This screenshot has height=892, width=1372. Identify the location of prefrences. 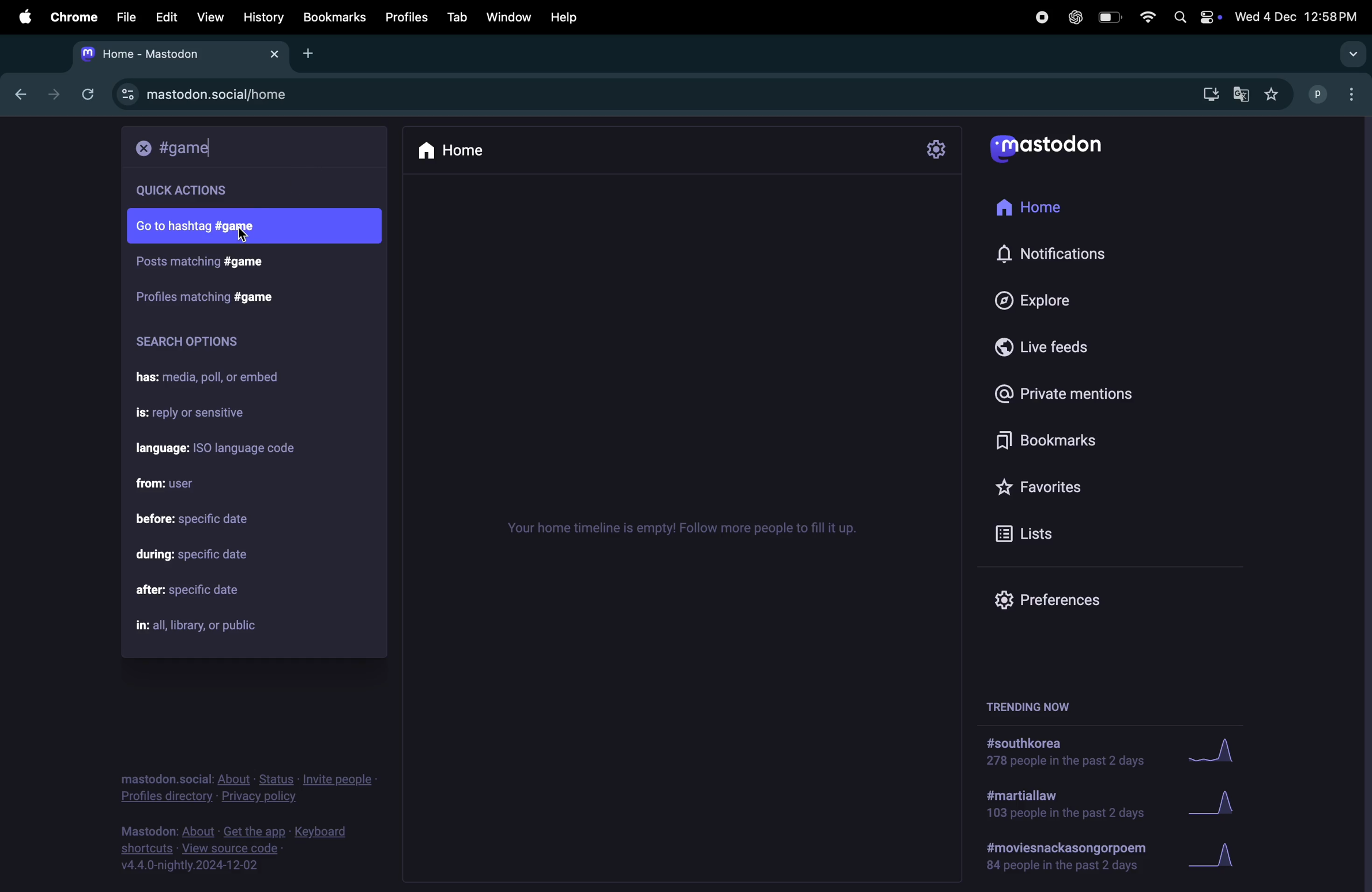
(1049, 600).